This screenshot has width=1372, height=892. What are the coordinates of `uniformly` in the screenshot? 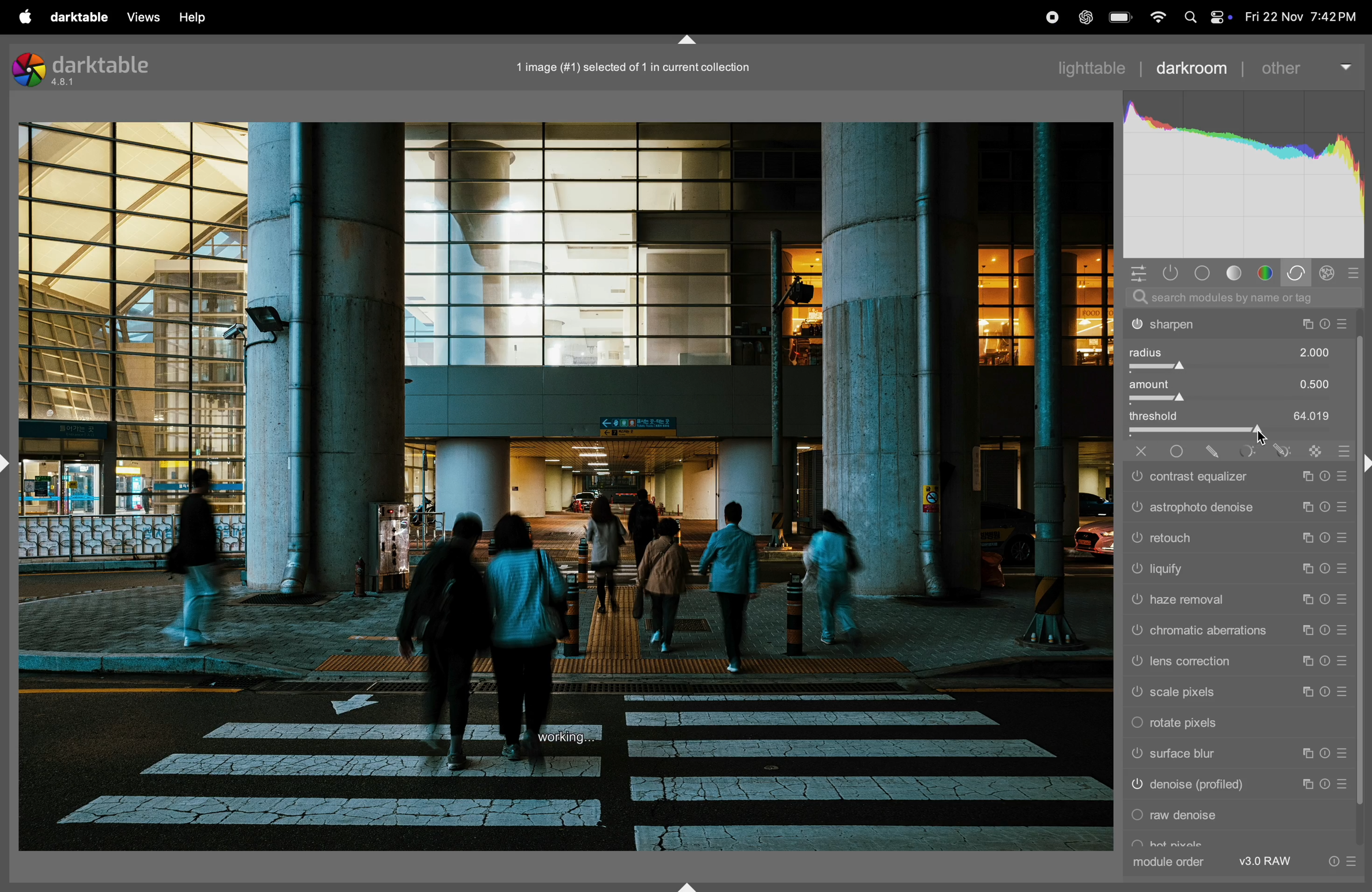 It's located at (1178, 453).